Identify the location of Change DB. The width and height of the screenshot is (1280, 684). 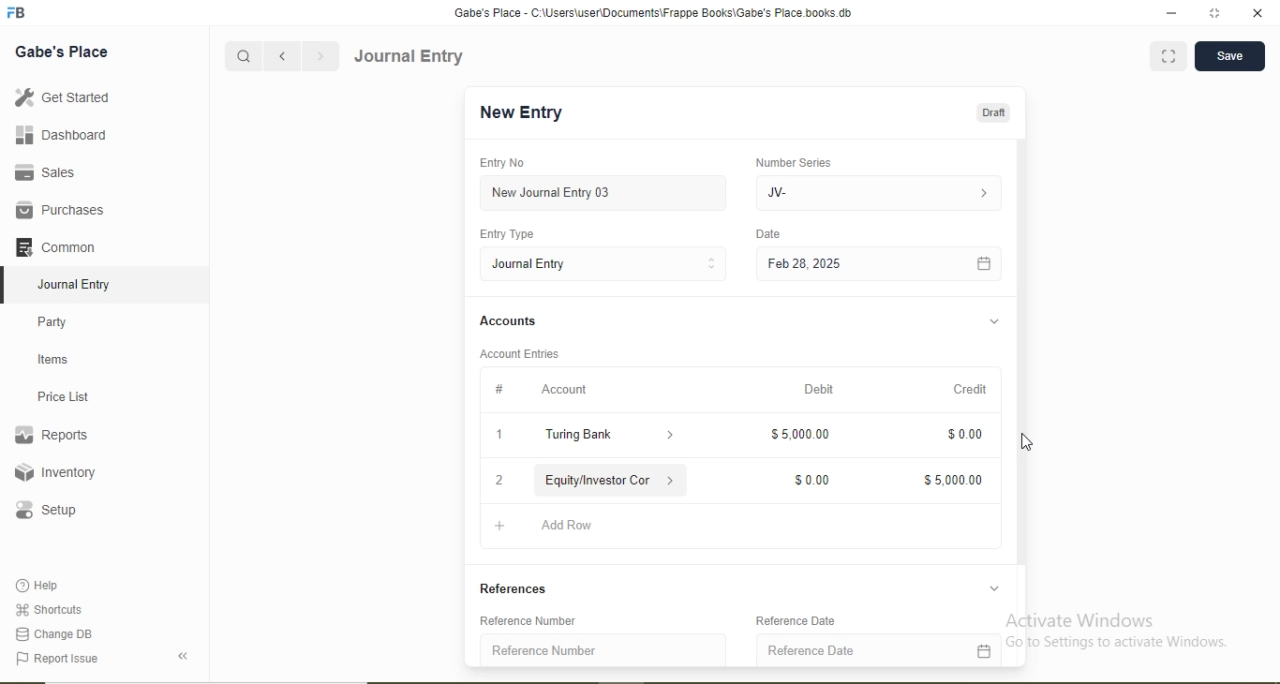
(52, 635).